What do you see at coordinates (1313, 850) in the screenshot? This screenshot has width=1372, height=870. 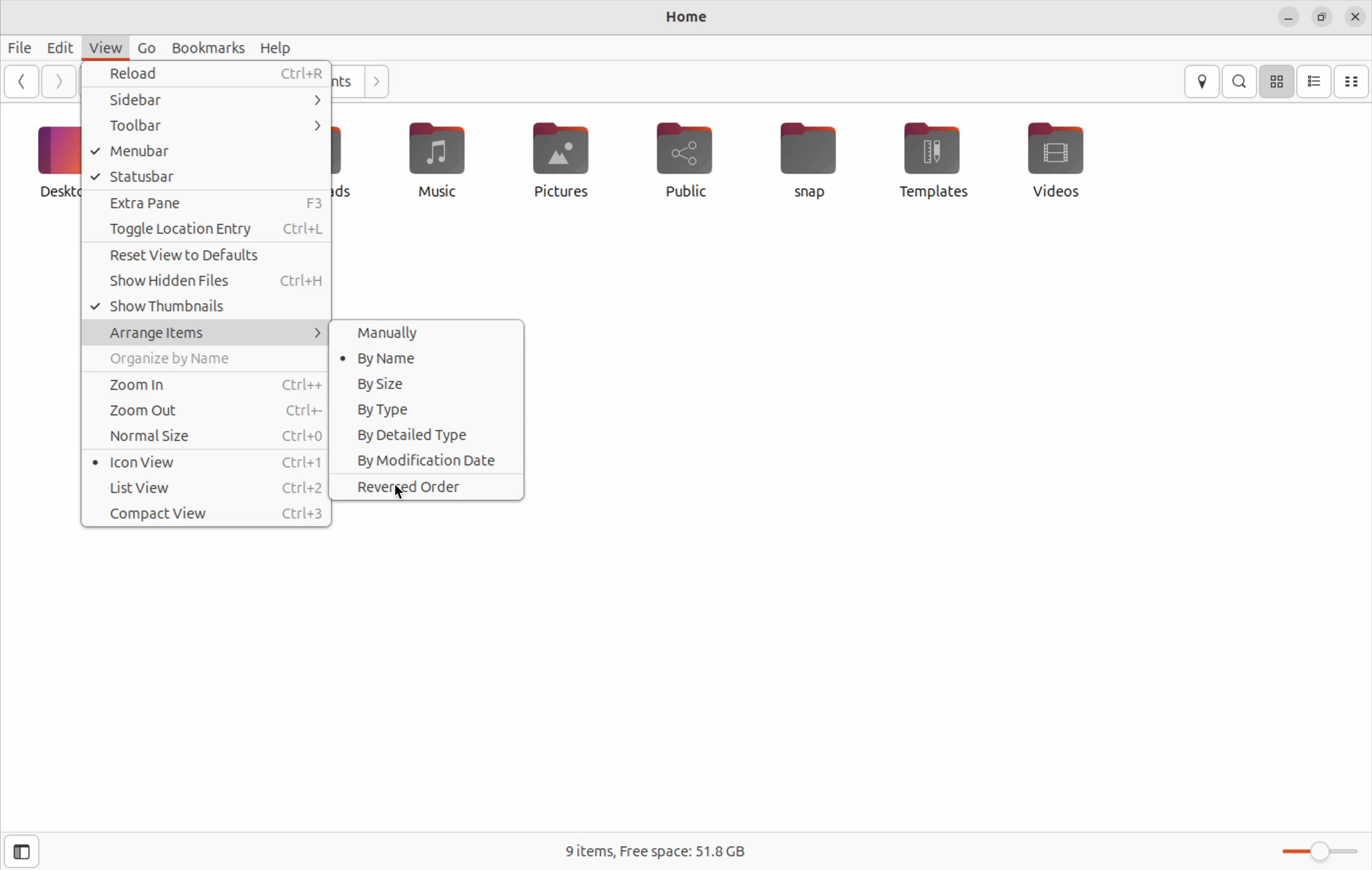 I see `toggle zoom` at bounding box center [1313, 850].